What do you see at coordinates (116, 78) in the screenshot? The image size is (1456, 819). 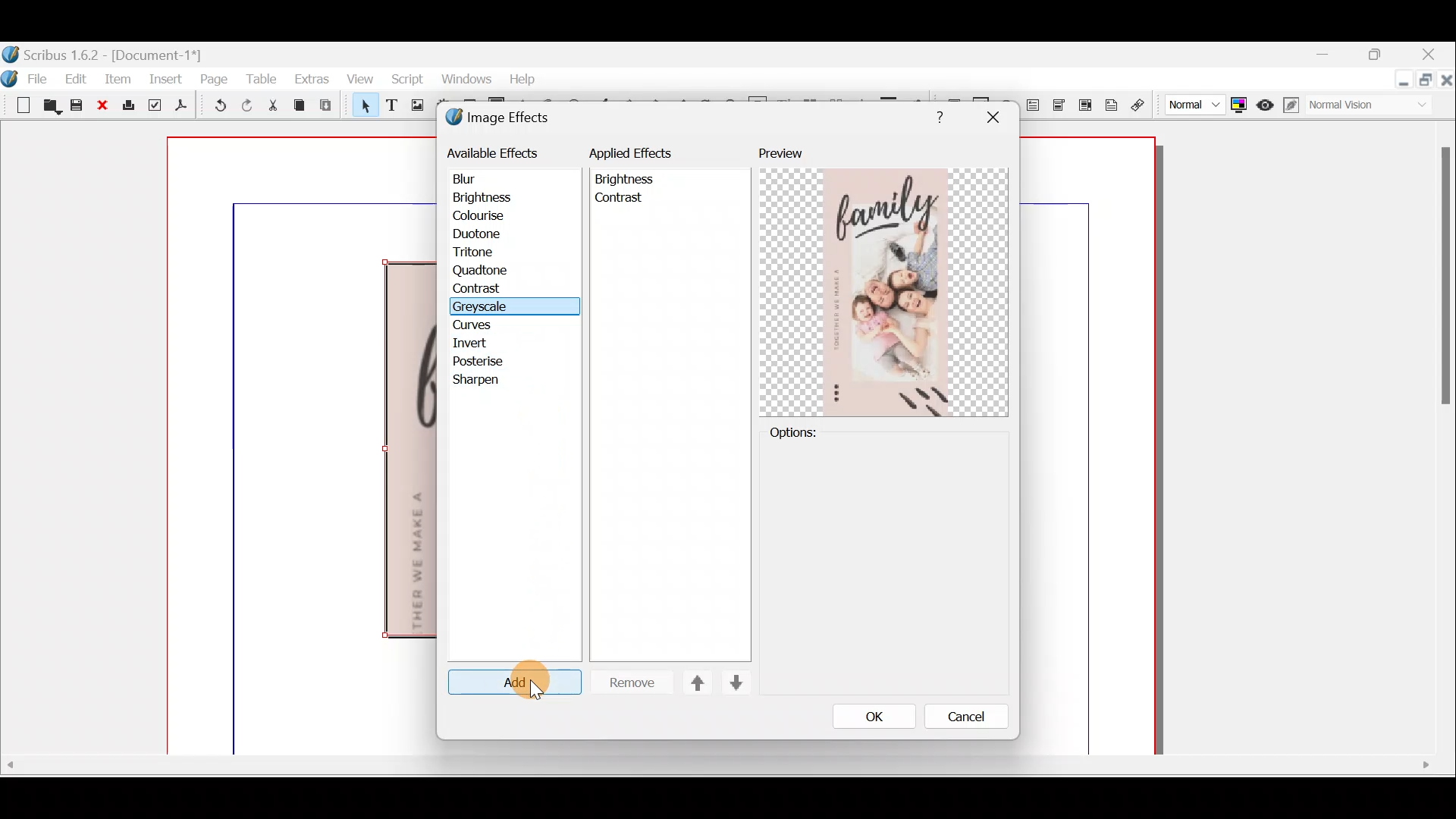 I see `Item` at bounding box center [116, 78].